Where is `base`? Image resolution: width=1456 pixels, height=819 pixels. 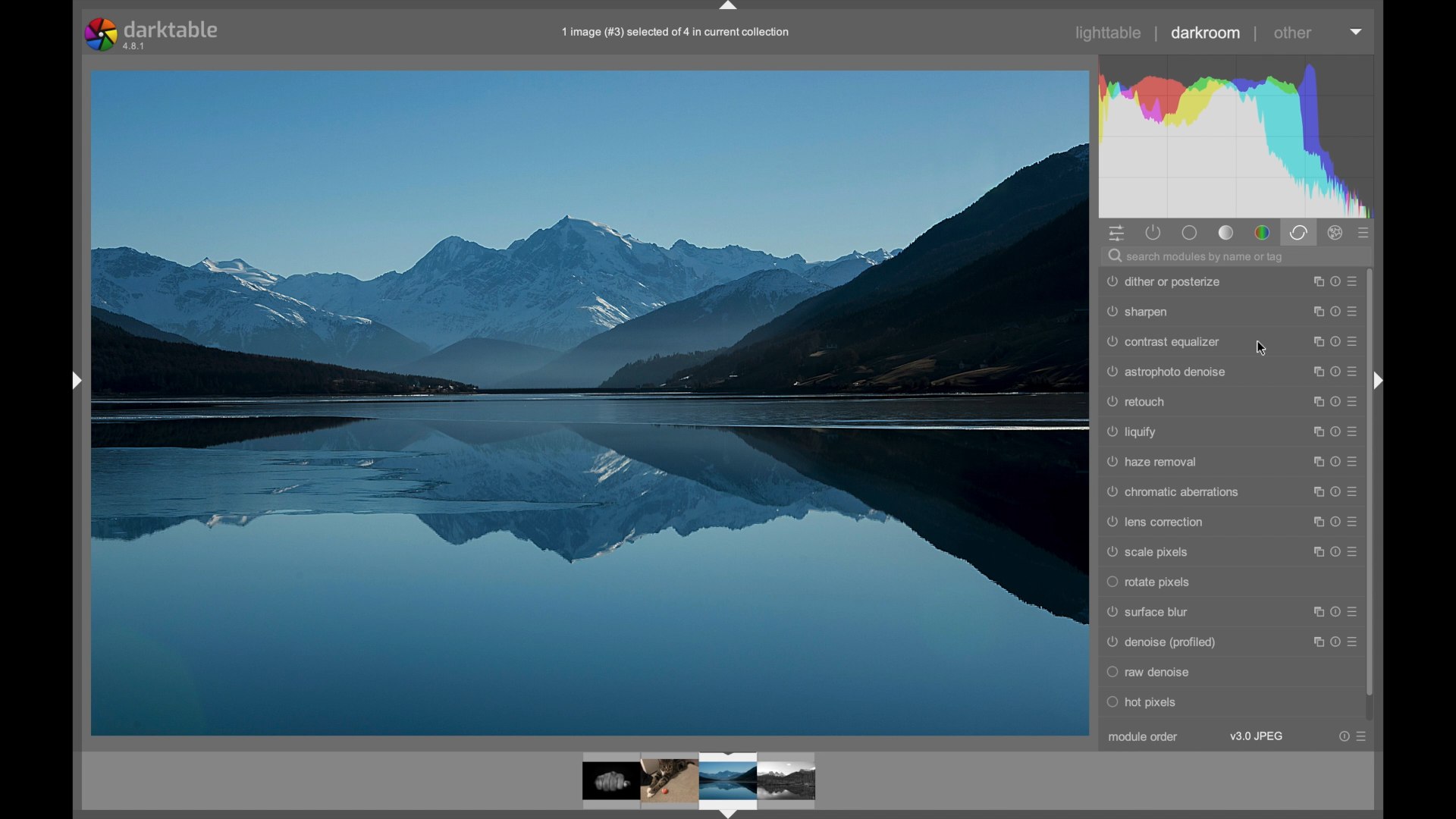 base is located at coordinates (1191, 232).